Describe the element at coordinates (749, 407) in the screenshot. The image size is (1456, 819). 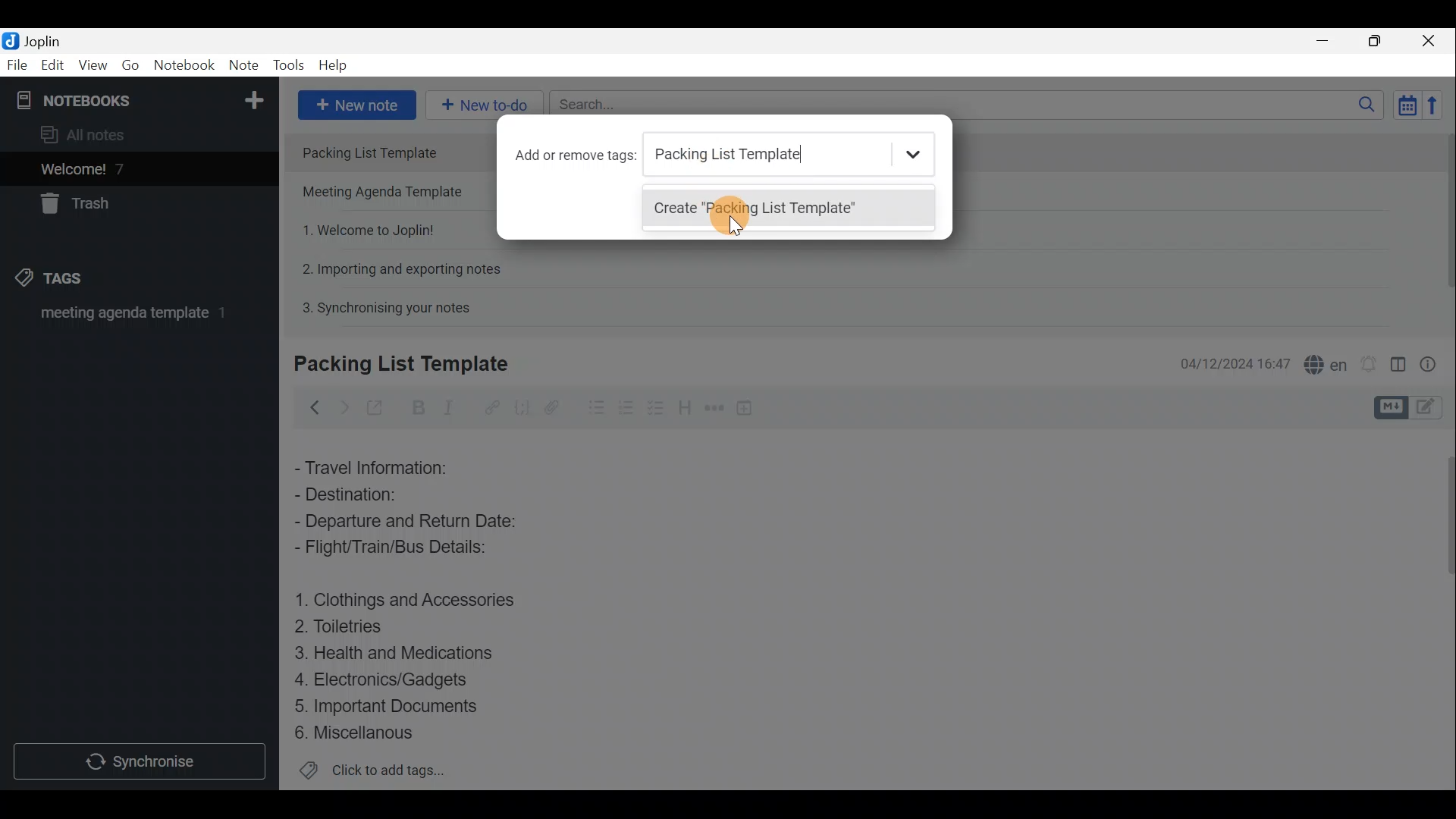
I see `Insert time` at that location.